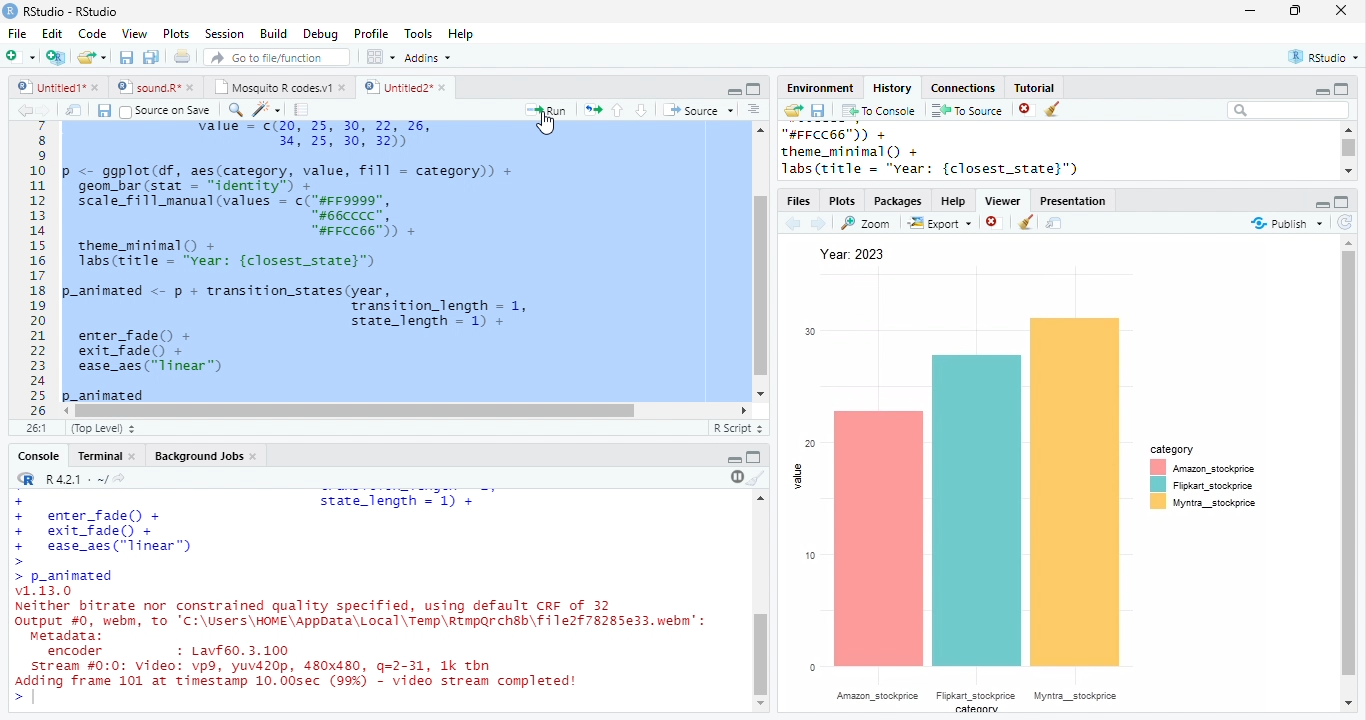  Describe the element at coordinates (939, 222) in the screenshot. I see `Export` at that location.